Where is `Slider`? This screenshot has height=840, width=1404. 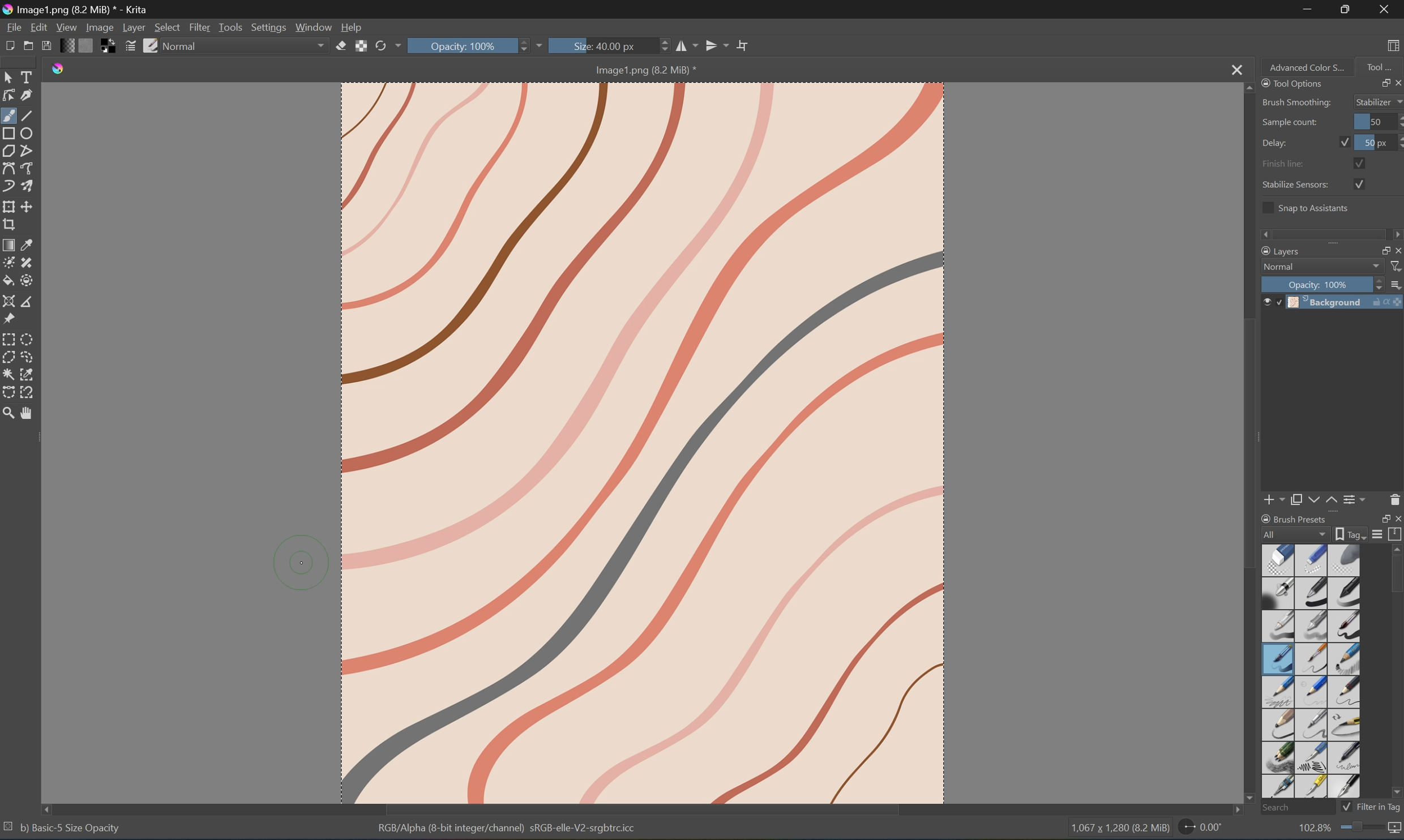
Slider is located at coordinates (661, 46).